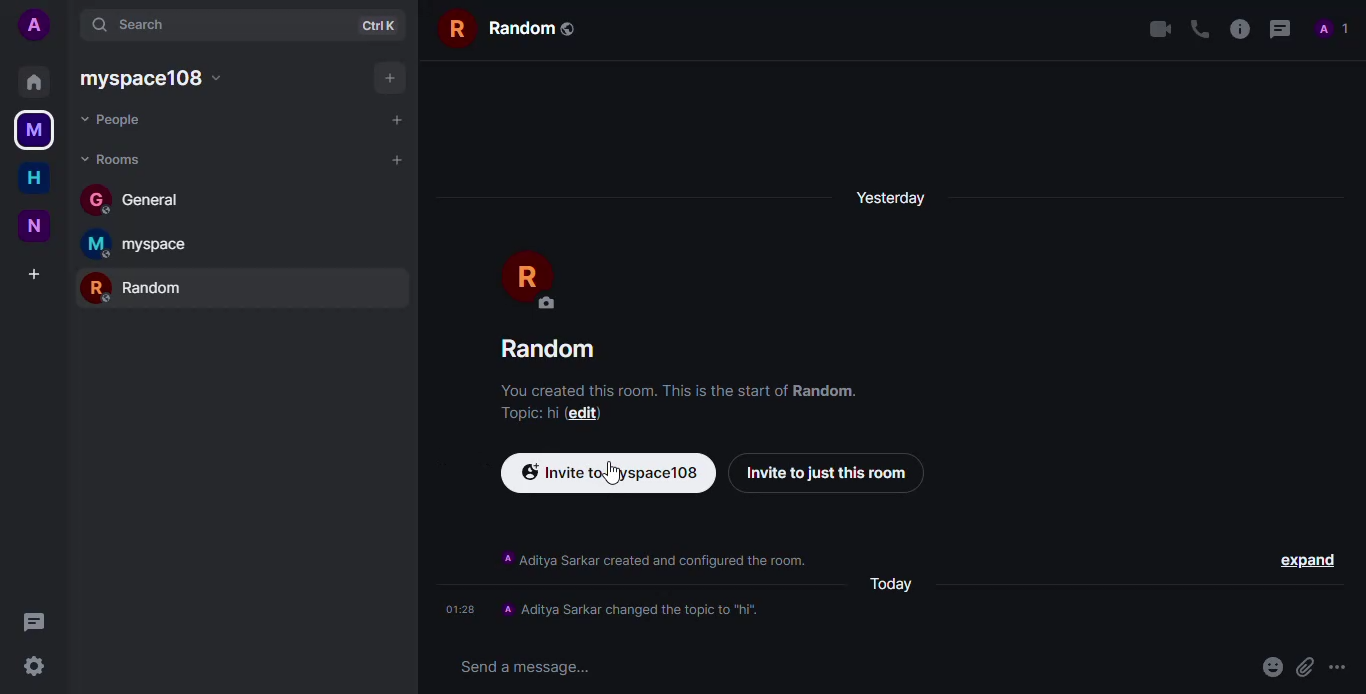  Describe the element at coordinates (555, 411) in the screenshot. I see `` at that location.